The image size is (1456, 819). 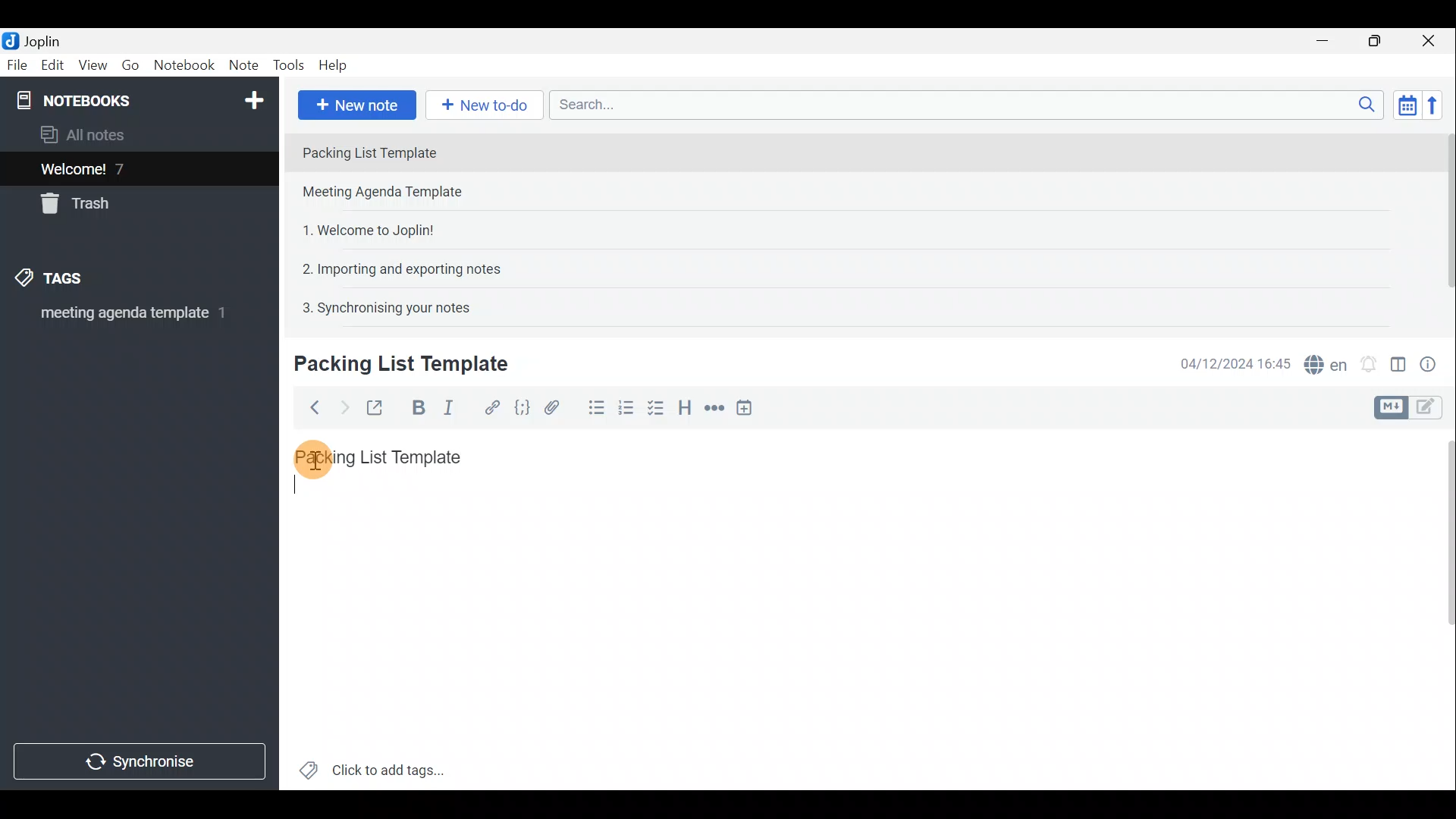 I want to click on Date & time, so click(x=1235, y=362).